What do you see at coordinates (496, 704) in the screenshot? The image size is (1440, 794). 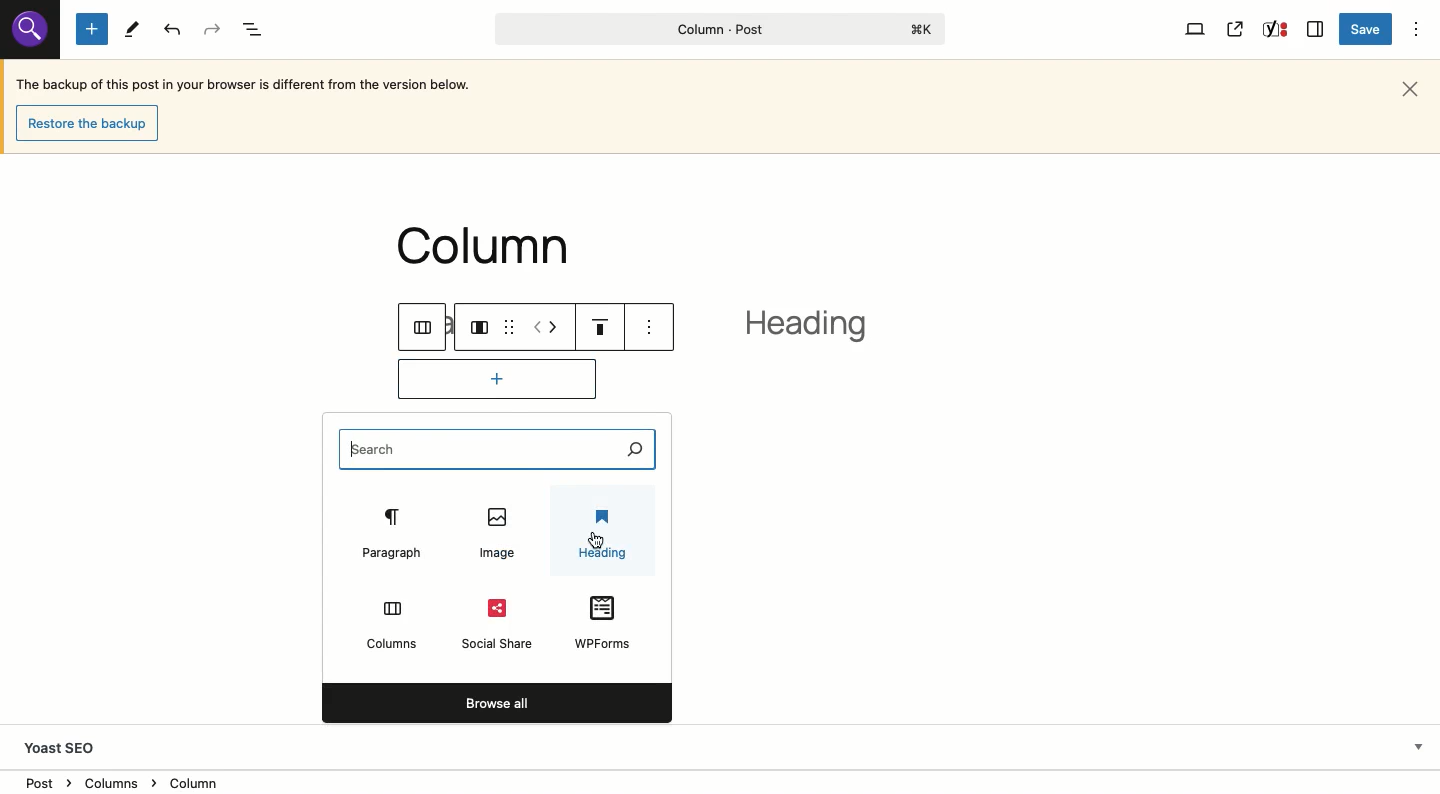 I see `Browse all` at bounding box center [496, 704].